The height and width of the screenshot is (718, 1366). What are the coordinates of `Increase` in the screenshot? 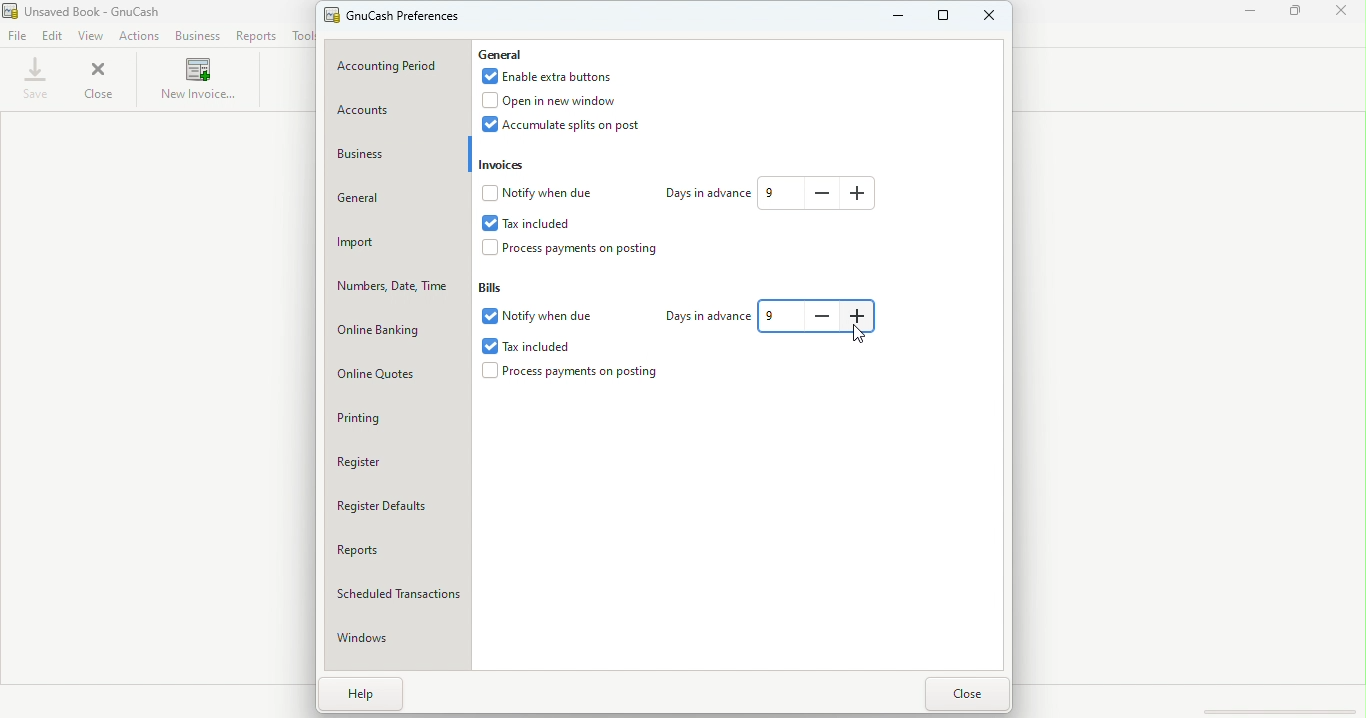 It's located at (861, 319).